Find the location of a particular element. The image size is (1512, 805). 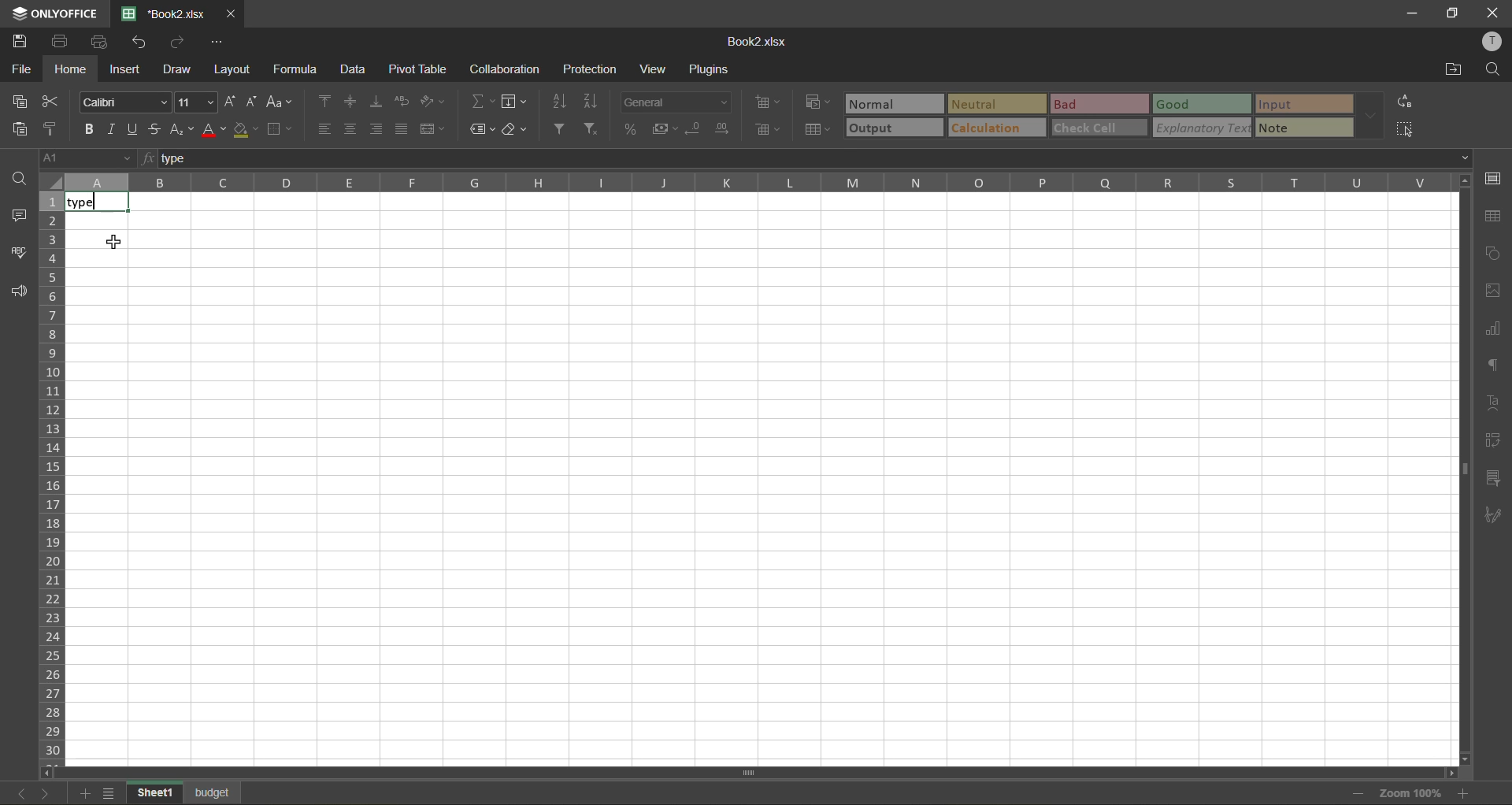

plugins is located at coordinates (710, 72).